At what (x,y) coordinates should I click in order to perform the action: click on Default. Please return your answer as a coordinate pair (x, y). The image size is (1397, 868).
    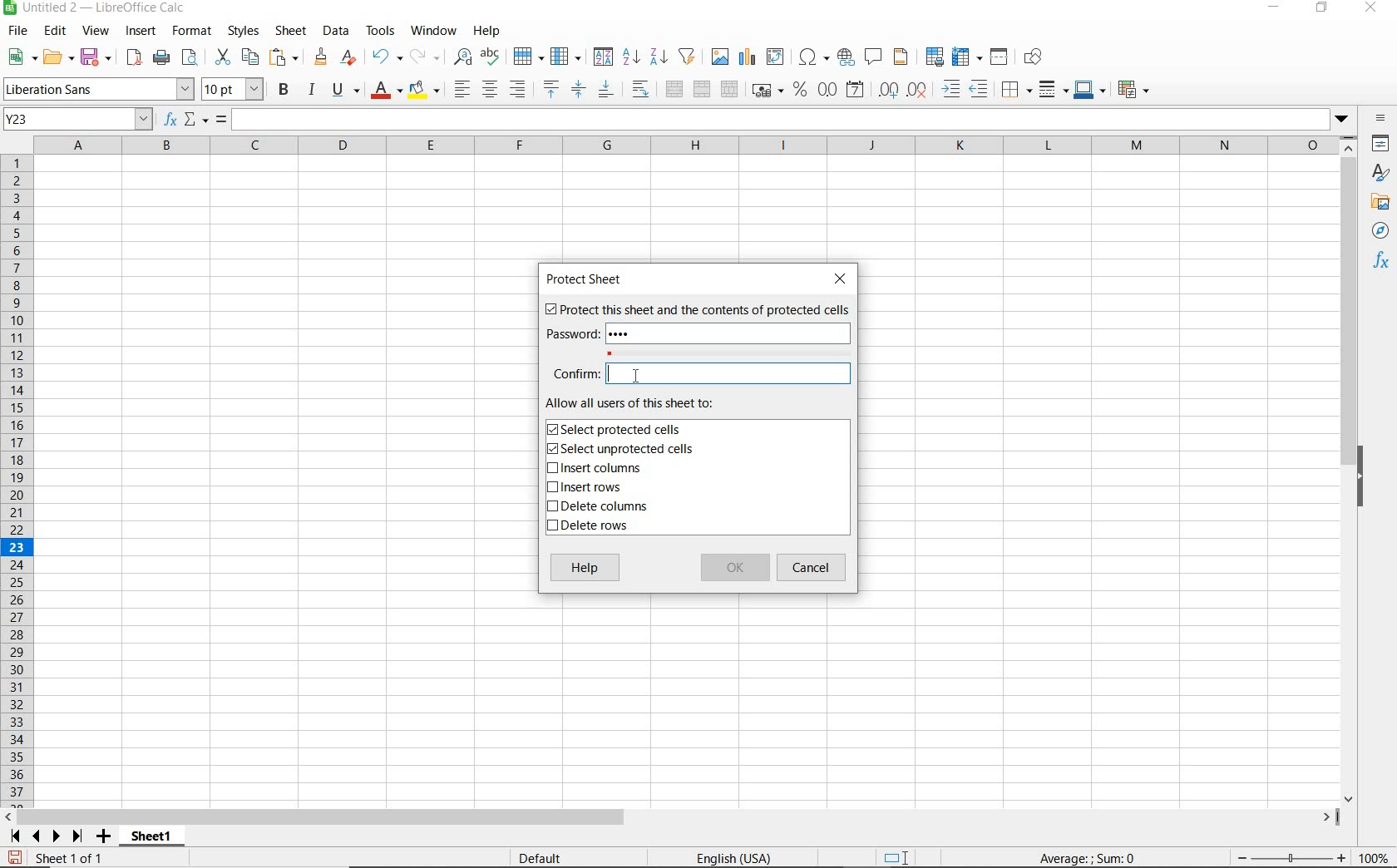
    Looking at the image, I should click on (550, 855).